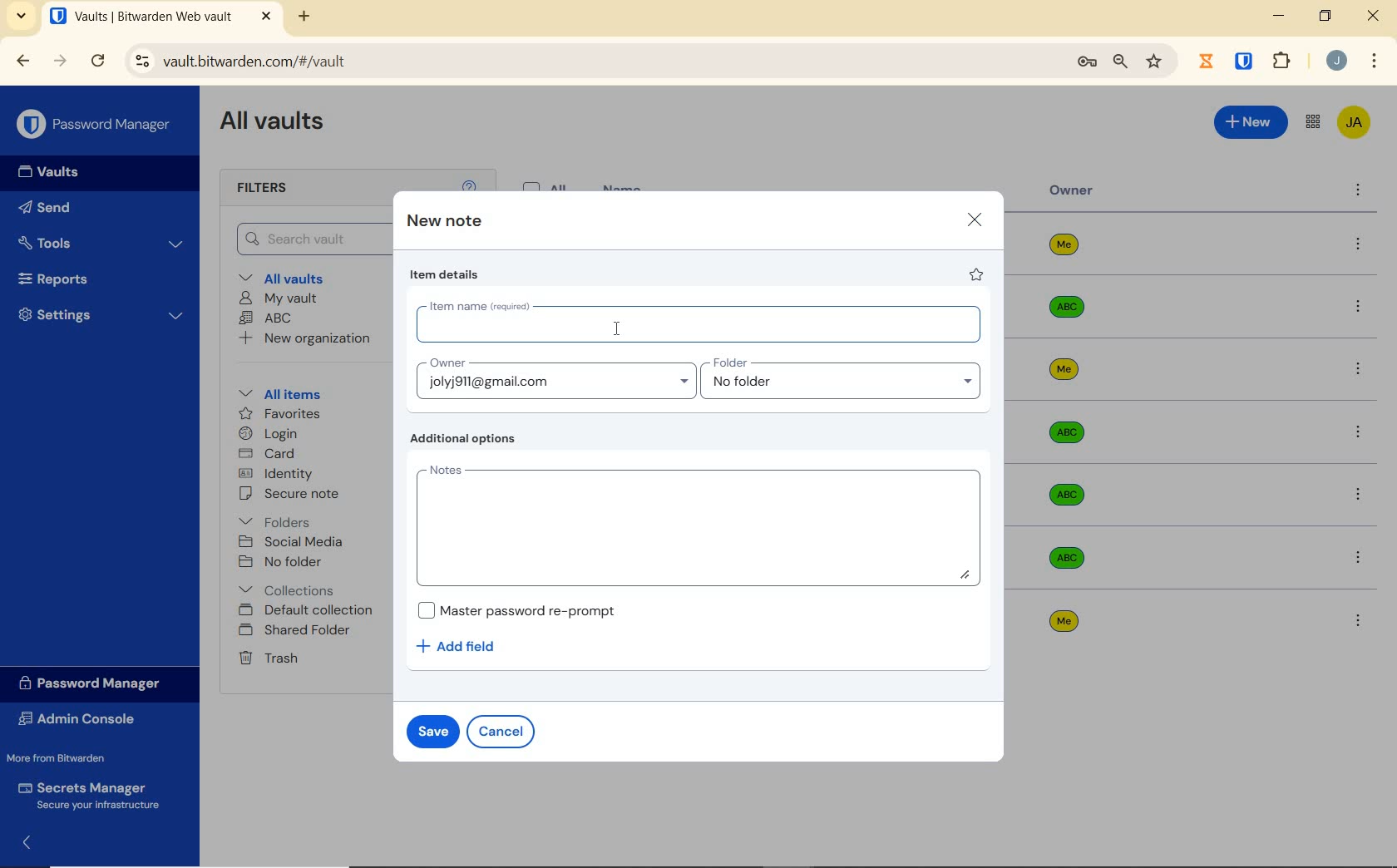 The height and width of the screenshot is (868, 1397). Describe the element at coordinates (504, 731) in the screenshot. I see `cancel` at that location.